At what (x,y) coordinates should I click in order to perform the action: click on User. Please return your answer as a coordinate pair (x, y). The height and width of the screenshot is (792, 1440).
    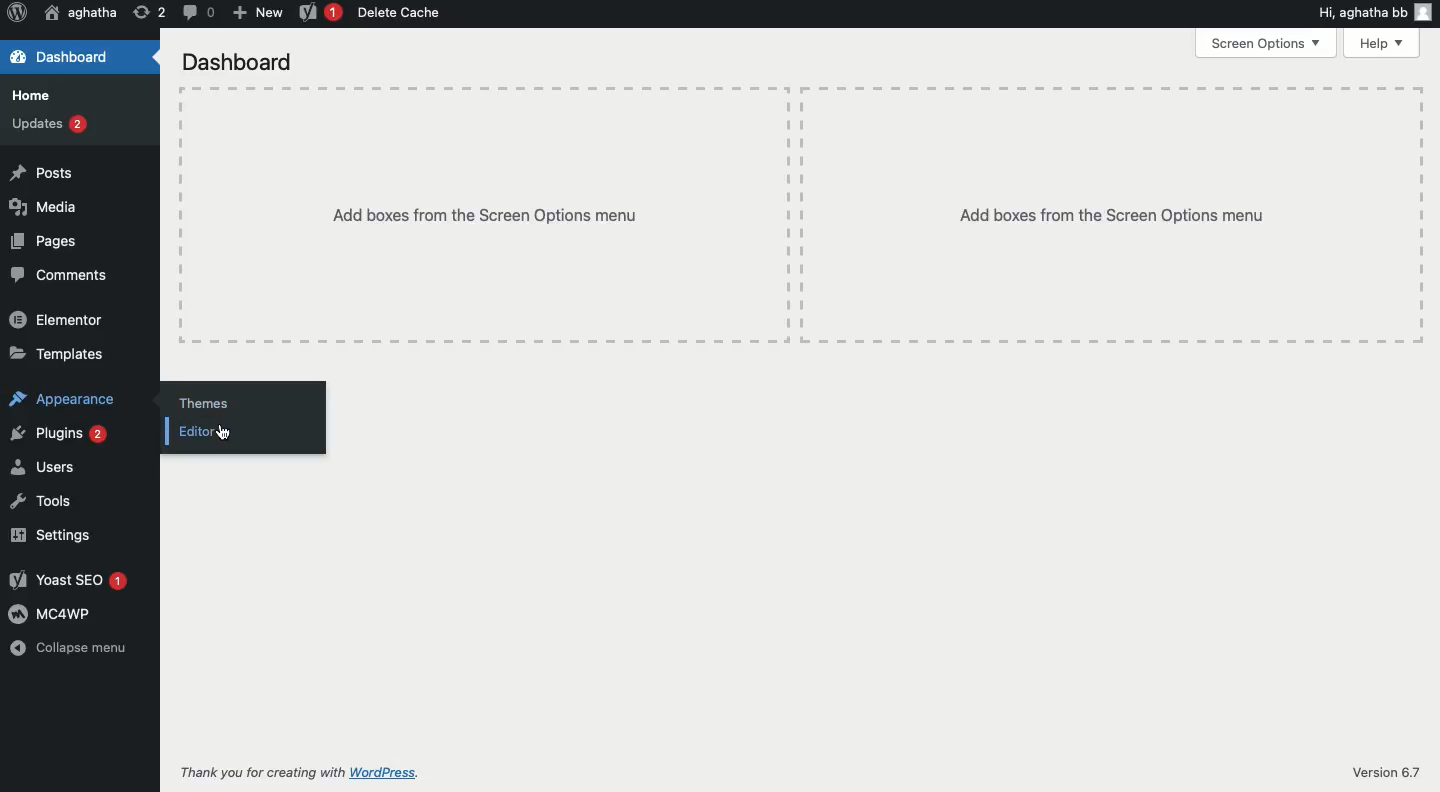
    Looking at the image, I should click on (80, 13).